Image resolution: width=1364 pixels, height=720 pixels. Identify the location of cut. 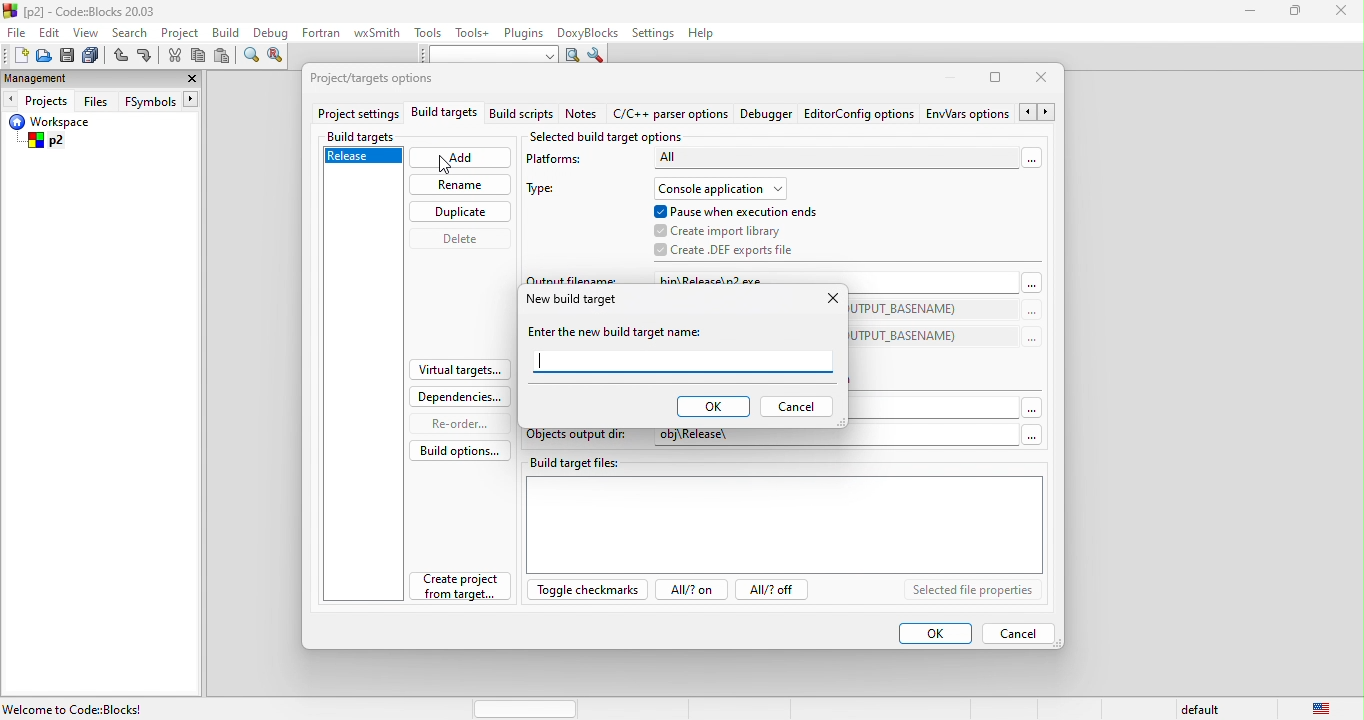
(174, 56).